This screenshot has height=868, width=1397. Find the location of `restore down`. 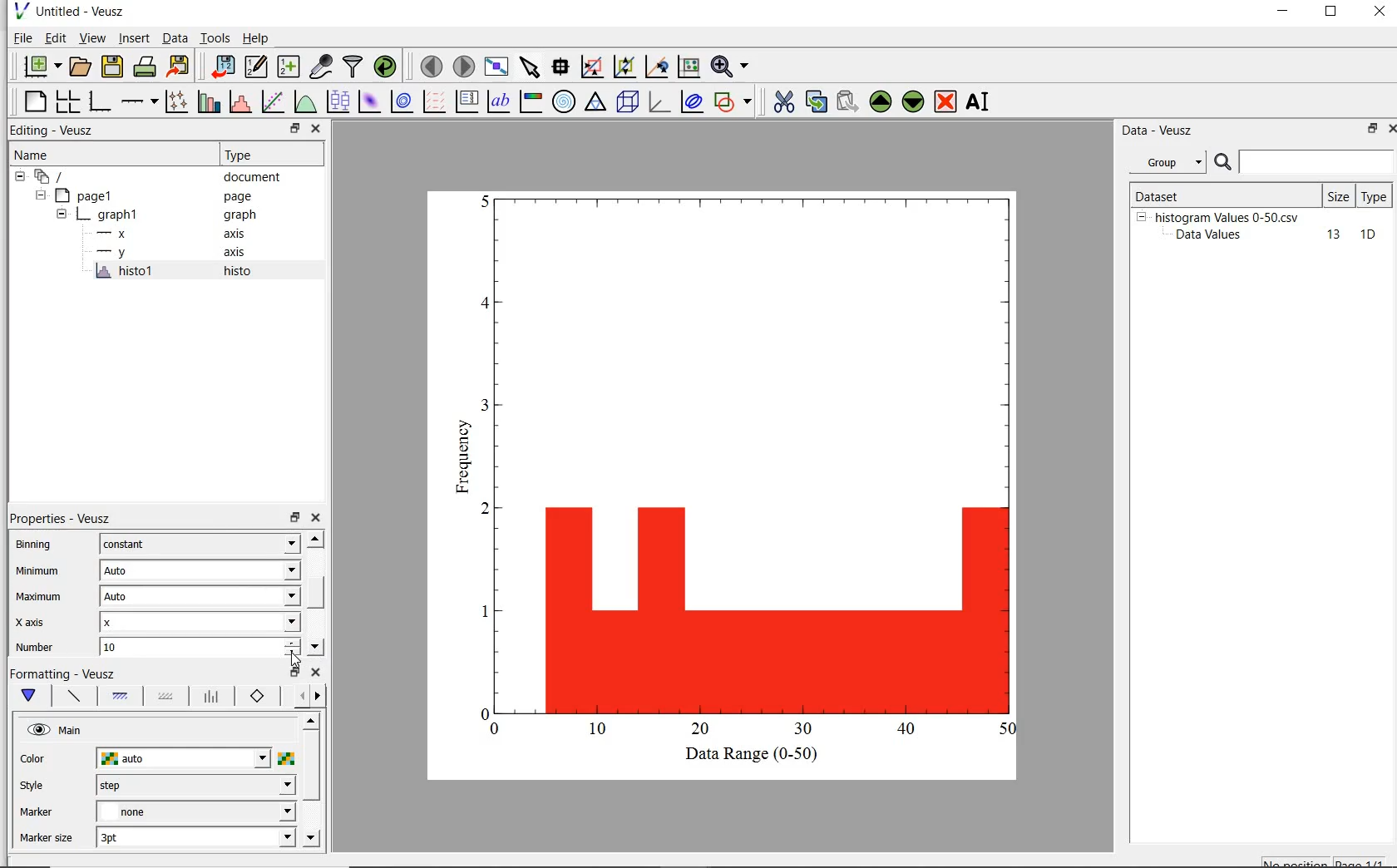

restore down is located at coordinates (294, 518).